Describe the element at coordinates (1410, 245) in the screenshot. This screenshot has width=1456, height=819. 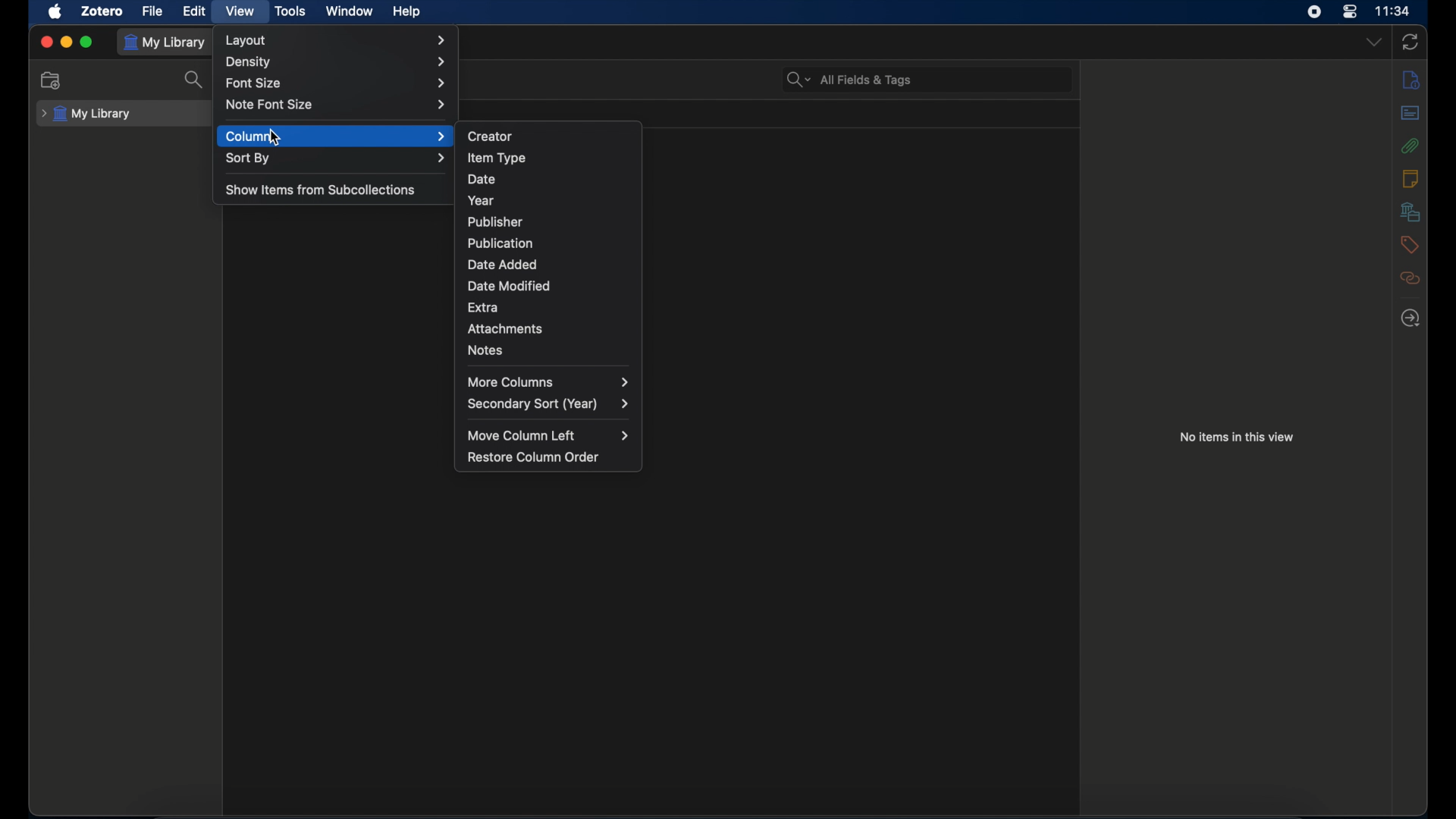
I see `tags` at that location.